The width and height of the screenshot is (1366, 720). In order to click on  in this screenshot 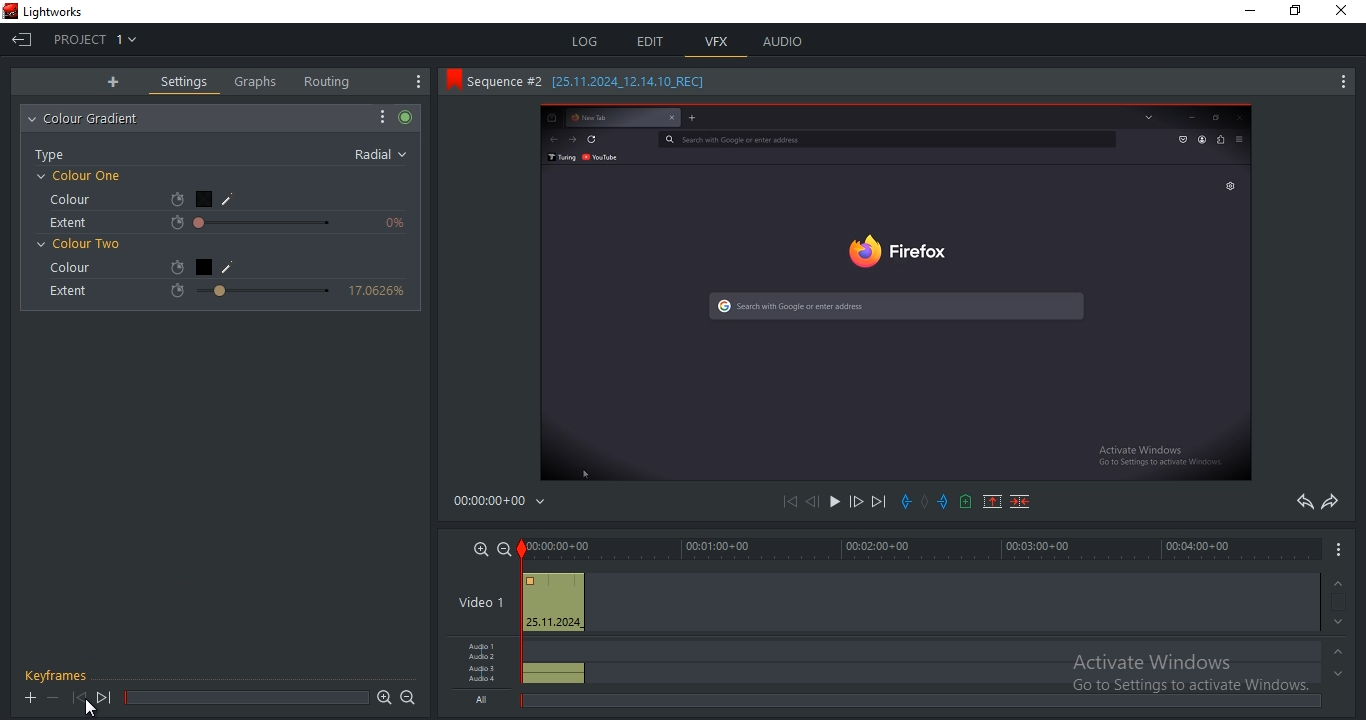, I will do `click(991, 501)`.